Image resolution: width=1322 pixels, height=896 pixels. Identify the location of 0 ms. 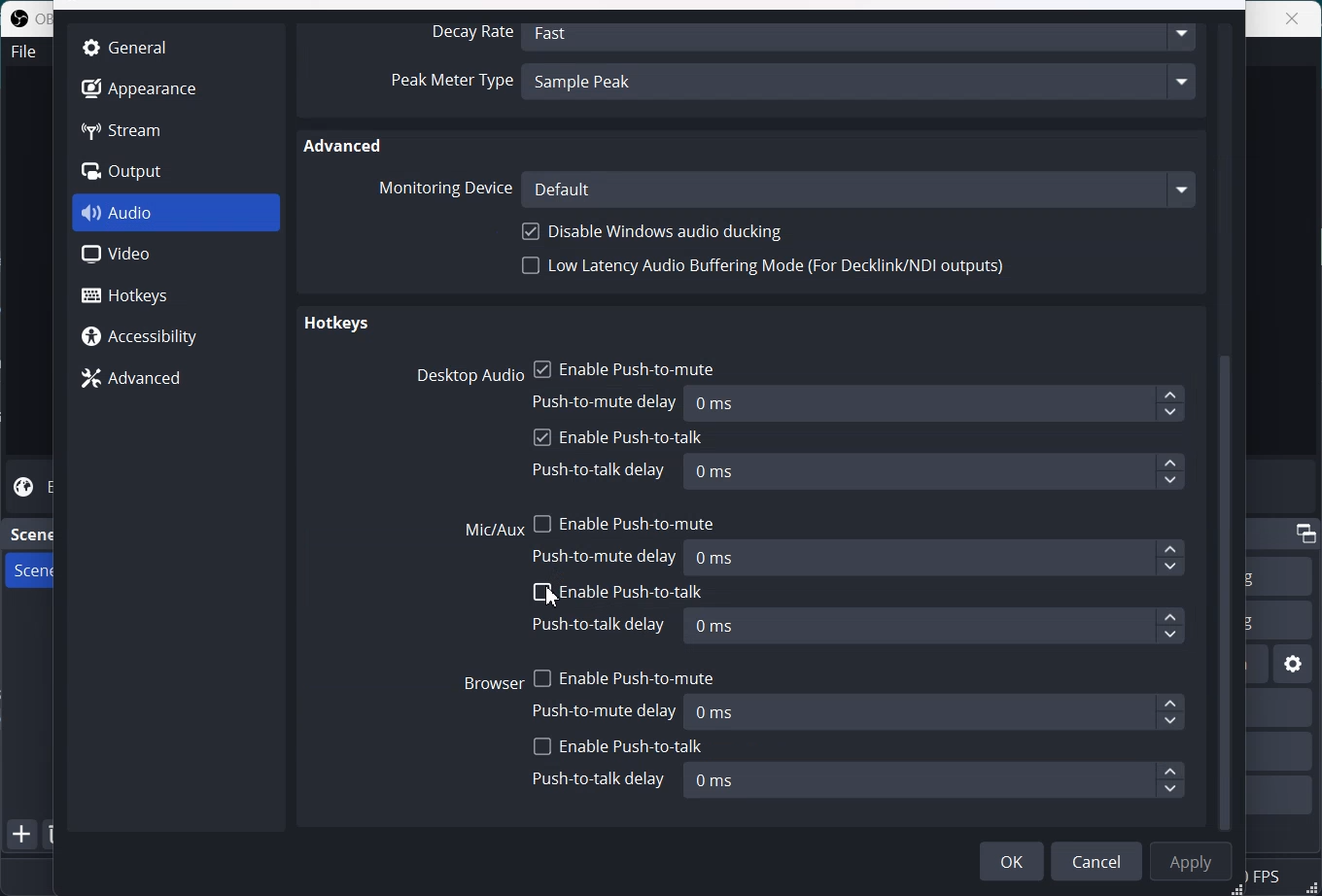
(936, 627).